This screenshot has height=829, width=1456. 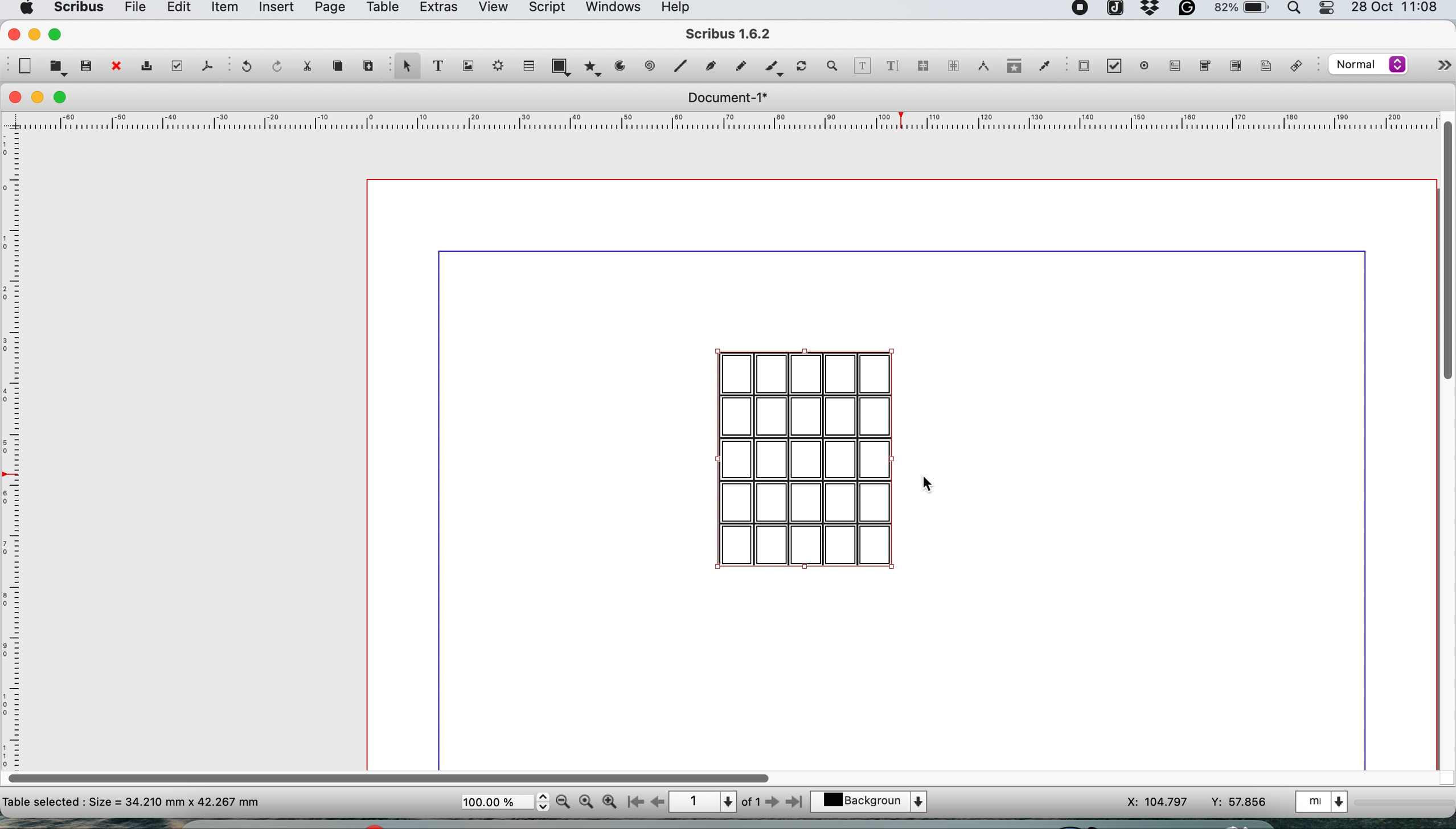 I want to click on open, so click(x=58, y=67).